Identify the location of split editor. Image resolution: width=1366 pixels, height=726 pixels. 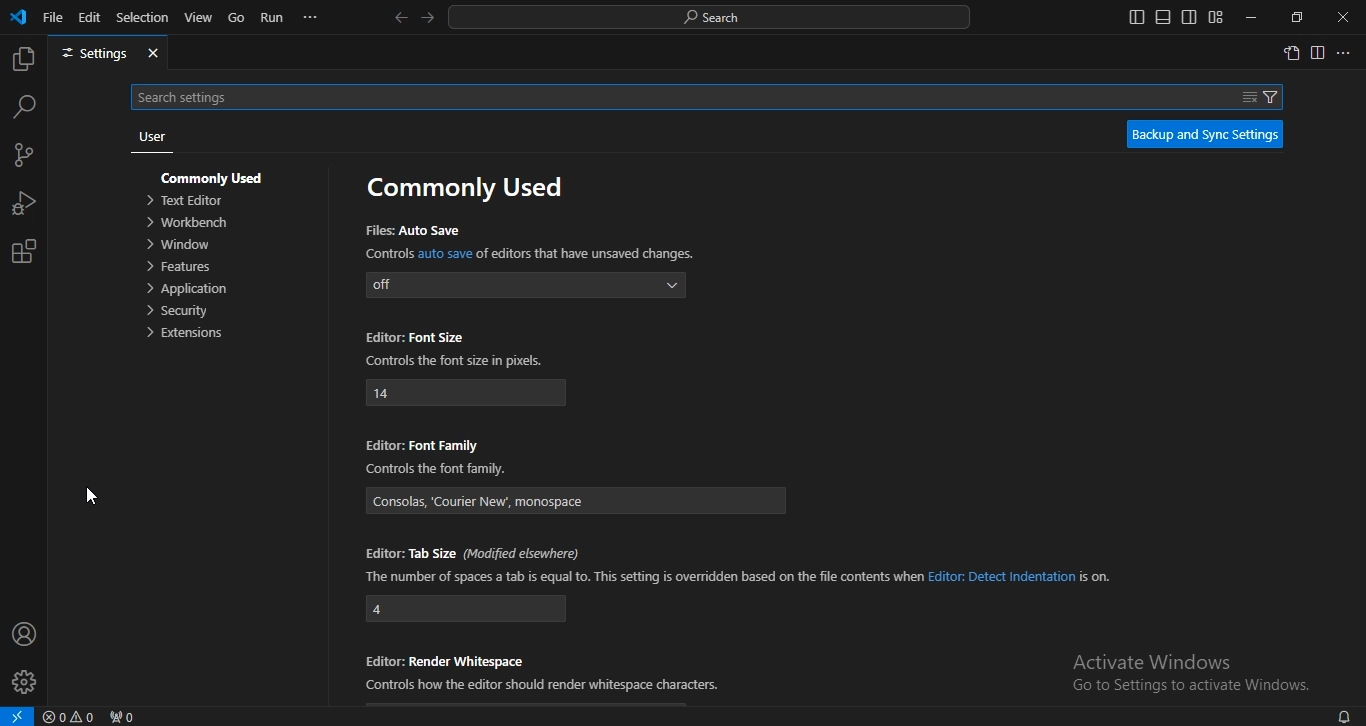
(1319, 54).